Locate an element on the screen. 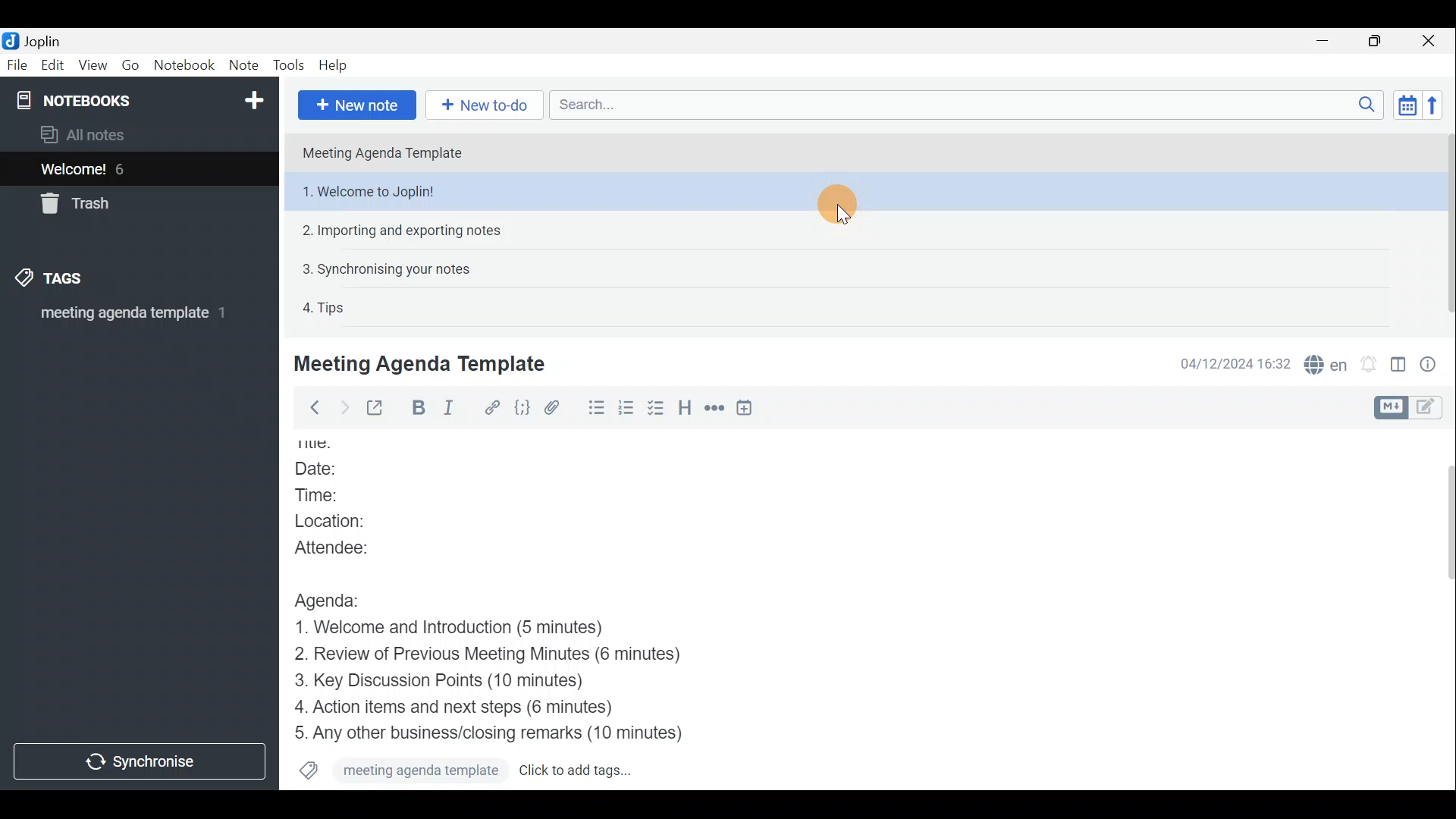 The height and width of the screenshot is (819, 1456). Spell checker is located at coordinates (1327, 362).